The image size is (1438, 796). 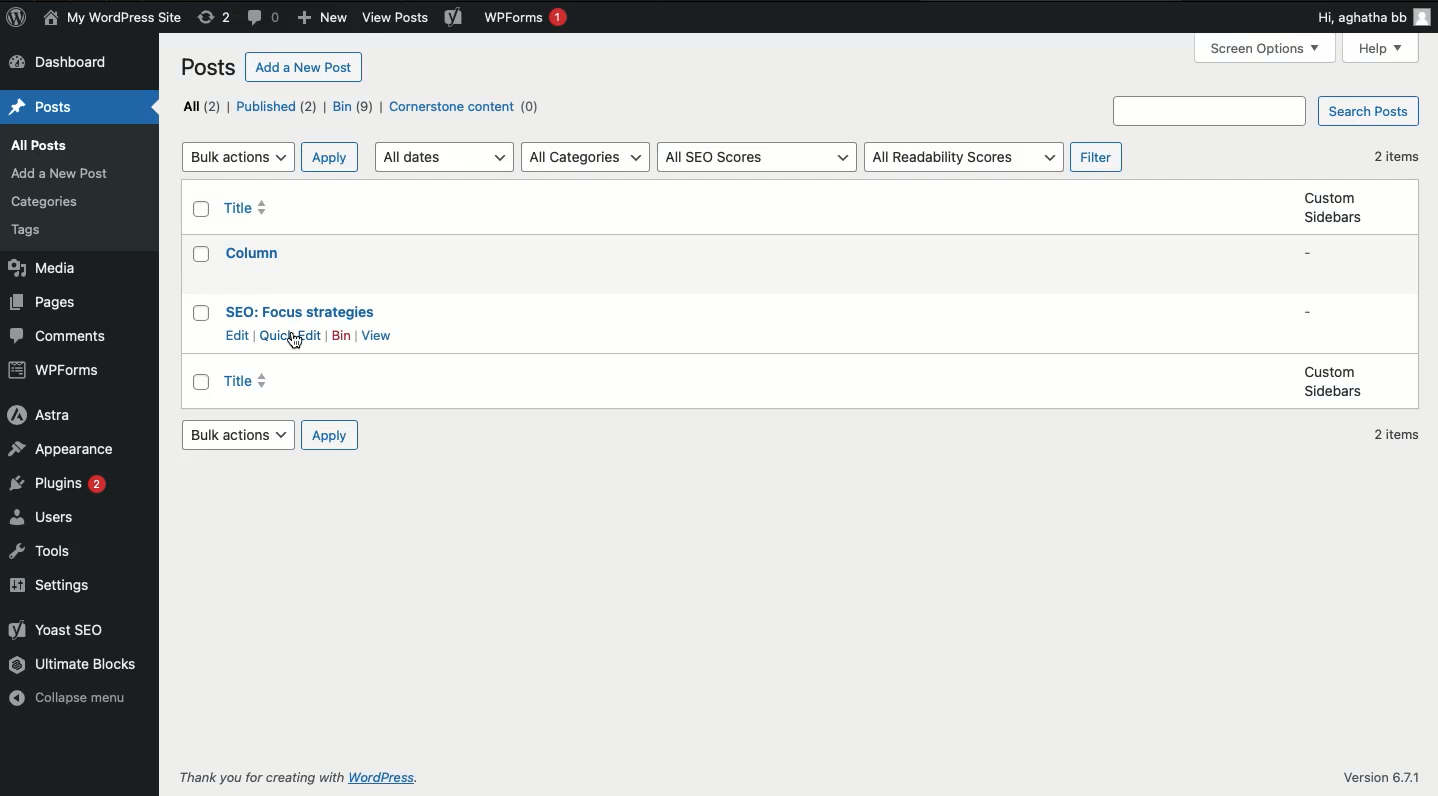 I want to click on Posts, so click(x=64, y=173).